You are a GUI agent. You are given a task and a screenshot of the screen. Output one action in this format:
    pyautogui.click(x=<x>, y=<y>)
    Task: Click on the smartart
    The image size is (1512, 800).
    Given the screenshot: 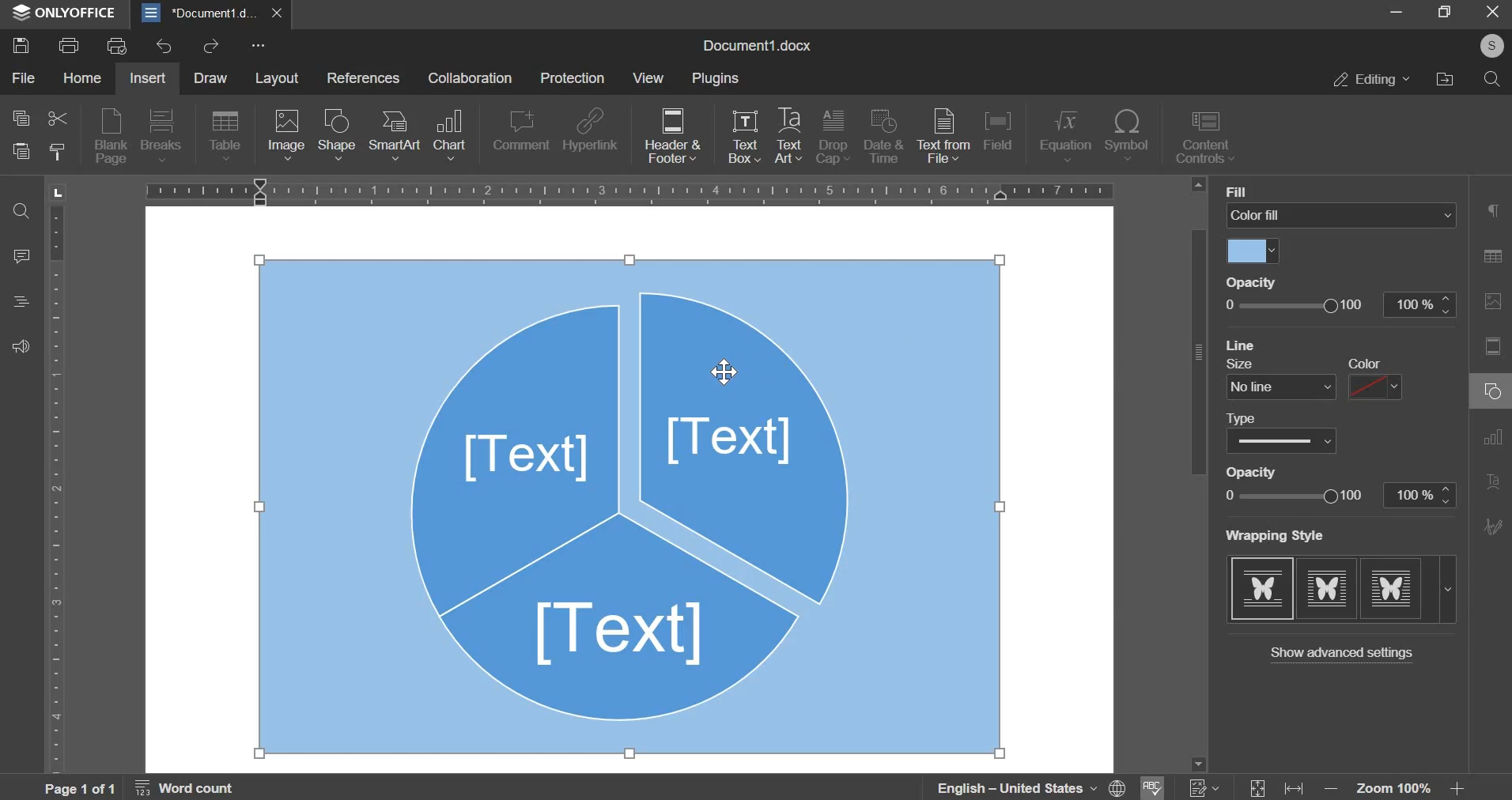 What is the action you would take?
    pyautogui.click(x=395, y=134)
    